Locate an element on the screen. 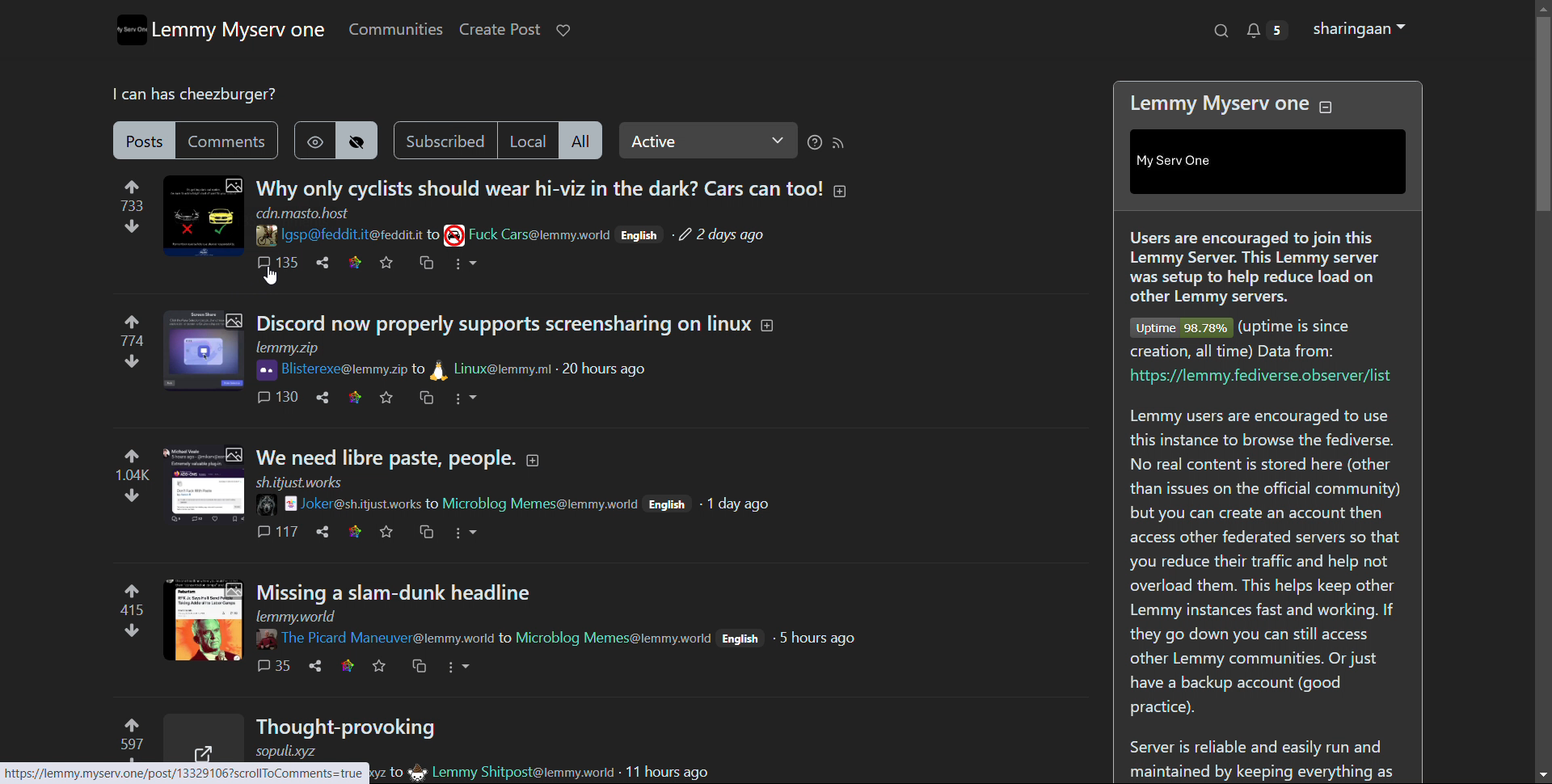 This screenshot has height=784, width=1552. Missing a slam-dunk headline
errraeihl is located at coordinates (396, 601).